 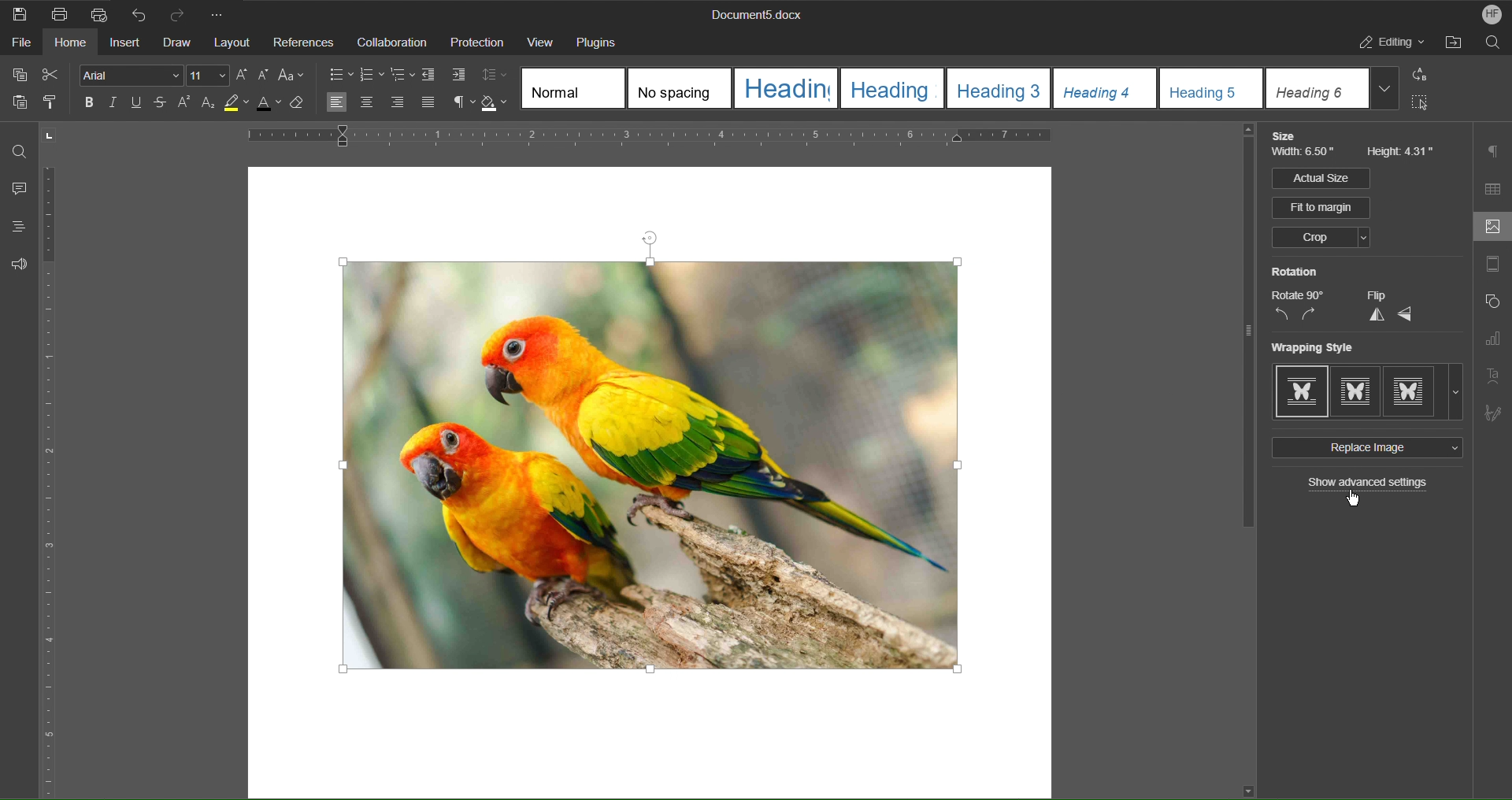 I want to click on Find, so click(x=20, y=151).